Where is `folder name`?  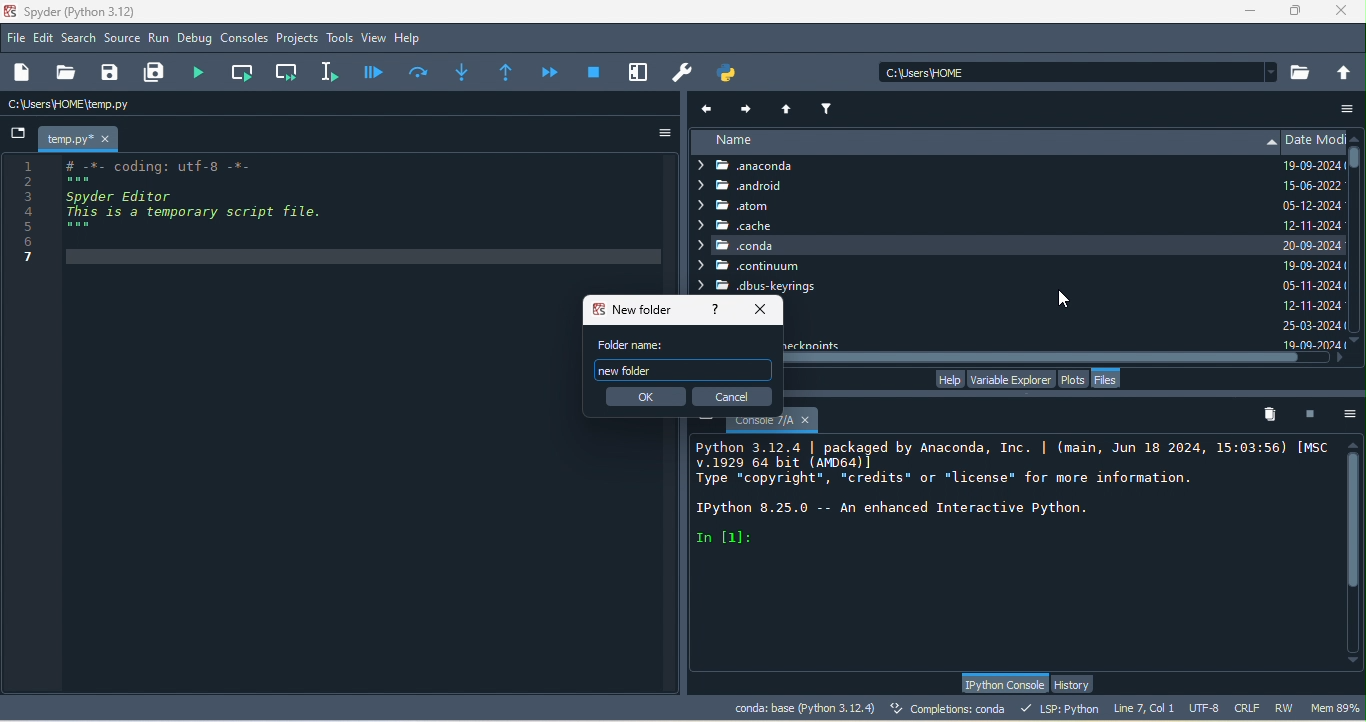
folder name is located at coordinates (635, 344).